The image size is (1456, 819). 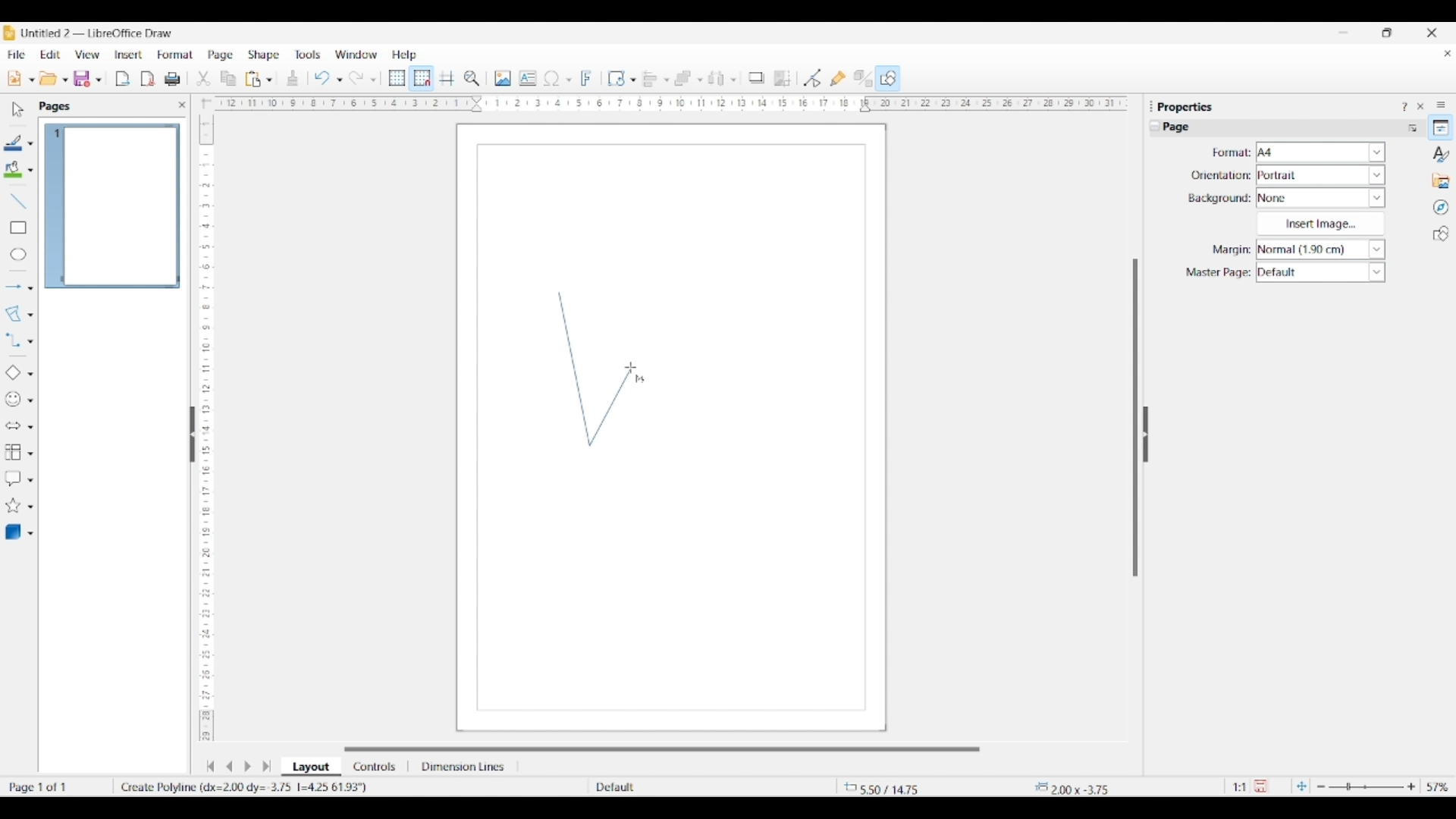 What do you see at coordinates (83, 78) in the screenshot?
I see `Selected save option` at bounding box center [83, 78].